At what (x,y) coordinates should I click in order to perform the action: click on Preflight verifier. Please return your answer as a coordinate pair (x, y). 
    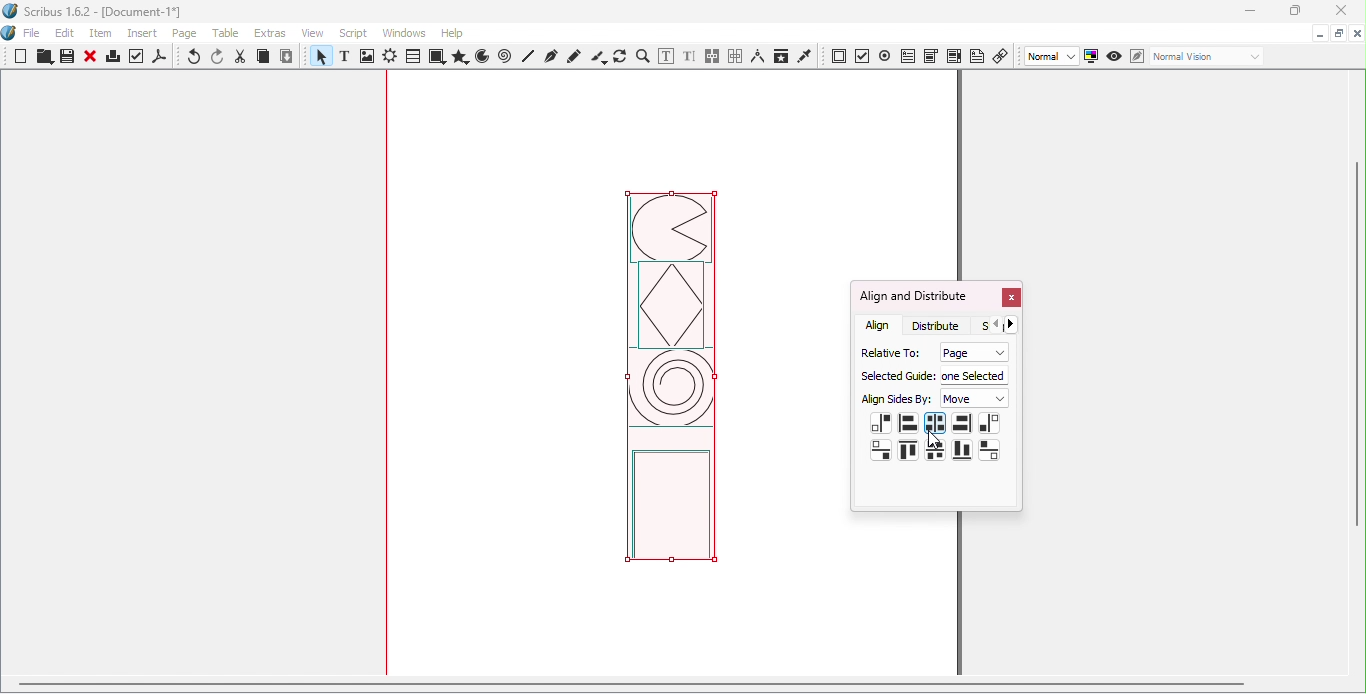
    Looking at the image, I should click on (137, 59).